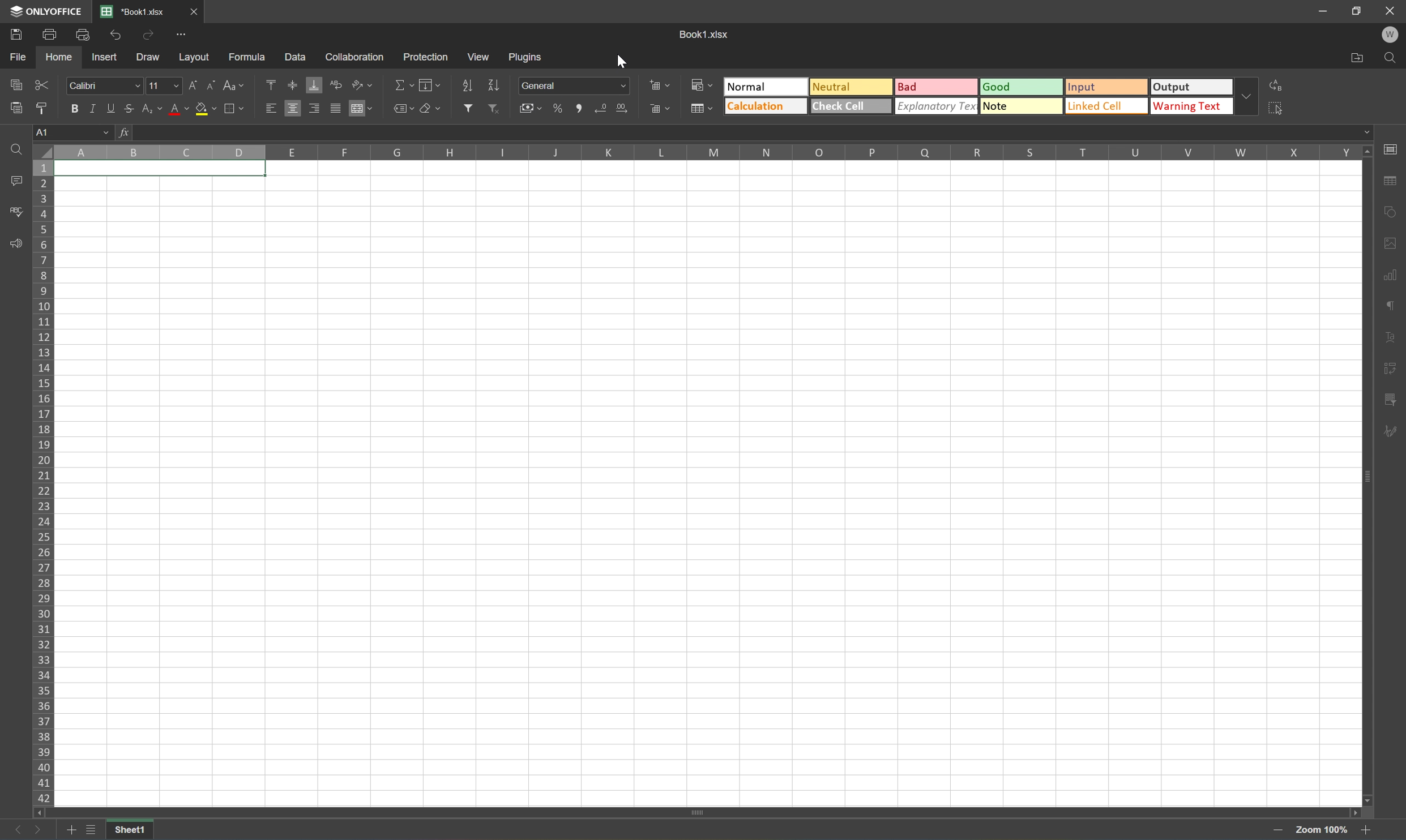  What do you see at coordinates (127, 134) in the screenshot?
I see `fx` at bounding box center [127, 134].